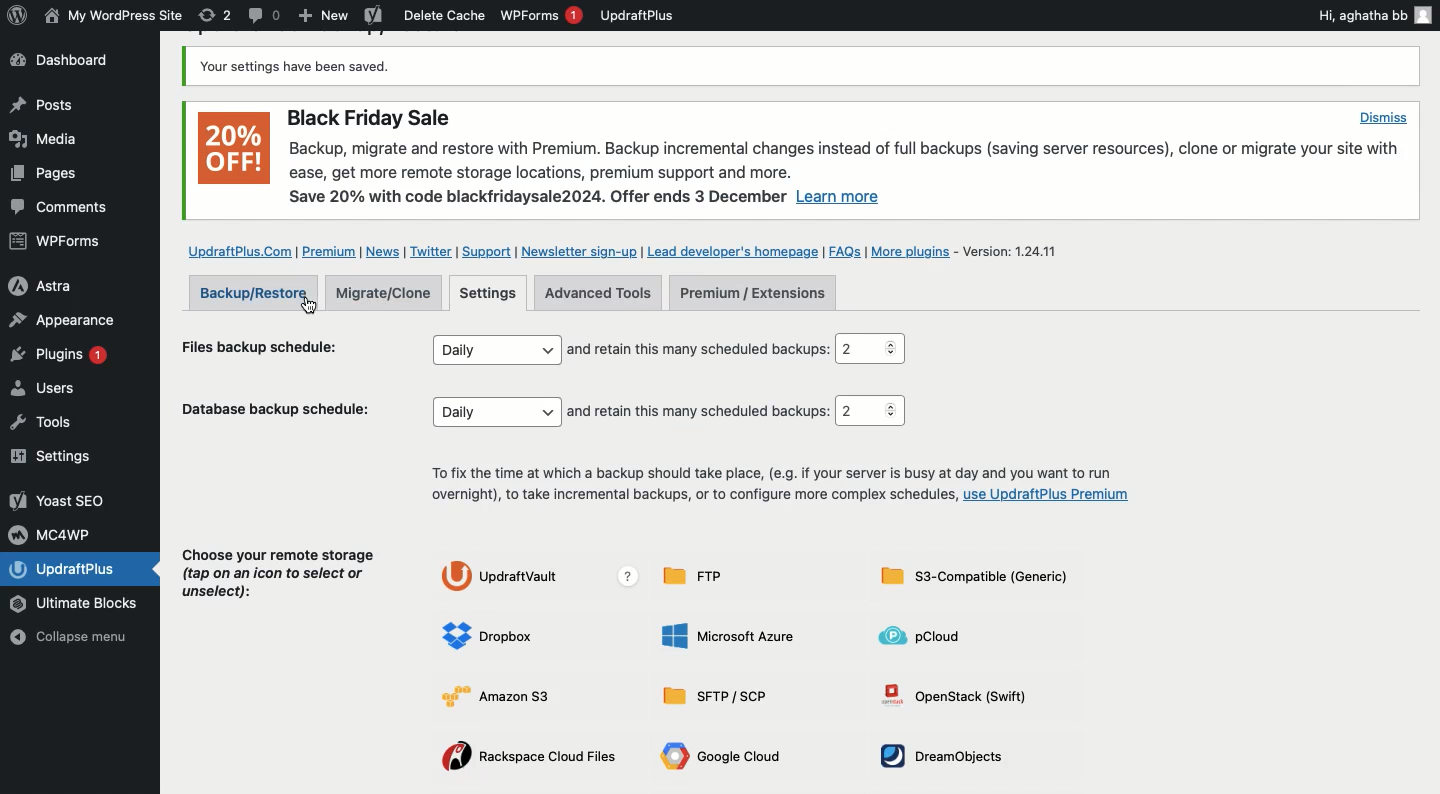 Image resolution: width=1440 pixels, height=794 pixels. I want to click on Microsoft Azure, so click(729, 634).